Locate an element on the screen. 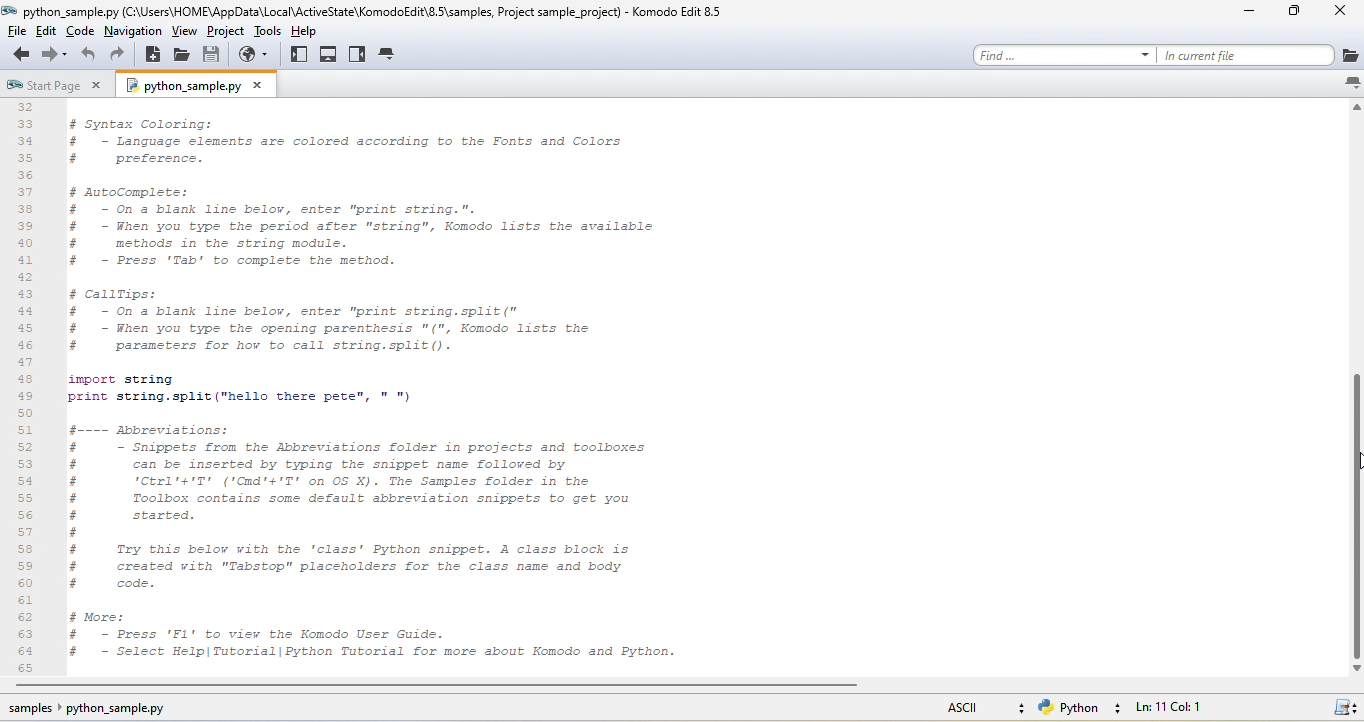 The height and width of the screenshot is (722, 1364). bar moved is located at coordinates (1355, 516).